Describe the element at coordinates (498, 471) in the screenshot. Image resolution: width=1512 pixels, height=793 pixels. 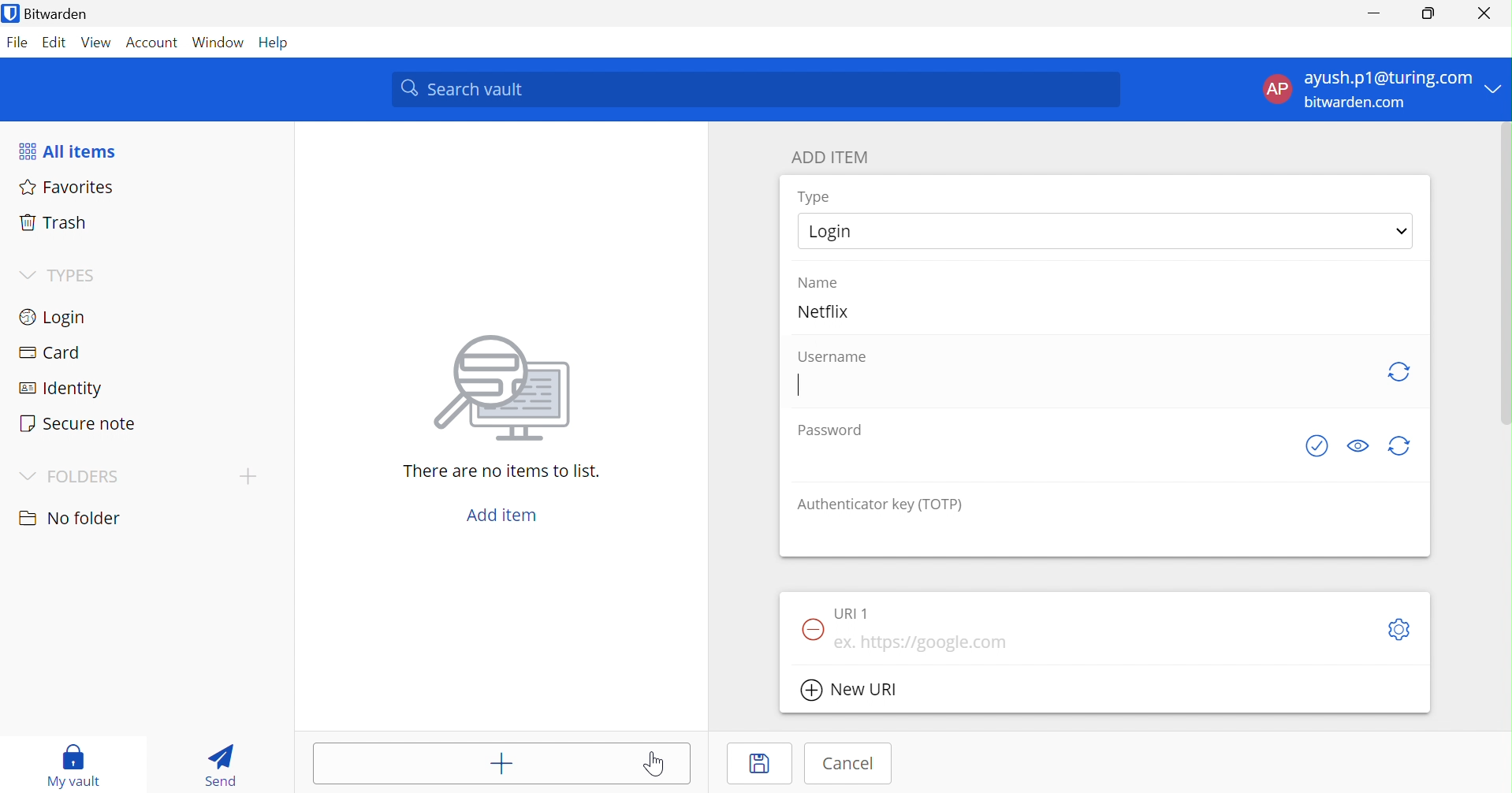
I see `There are no items to list.` at that location.